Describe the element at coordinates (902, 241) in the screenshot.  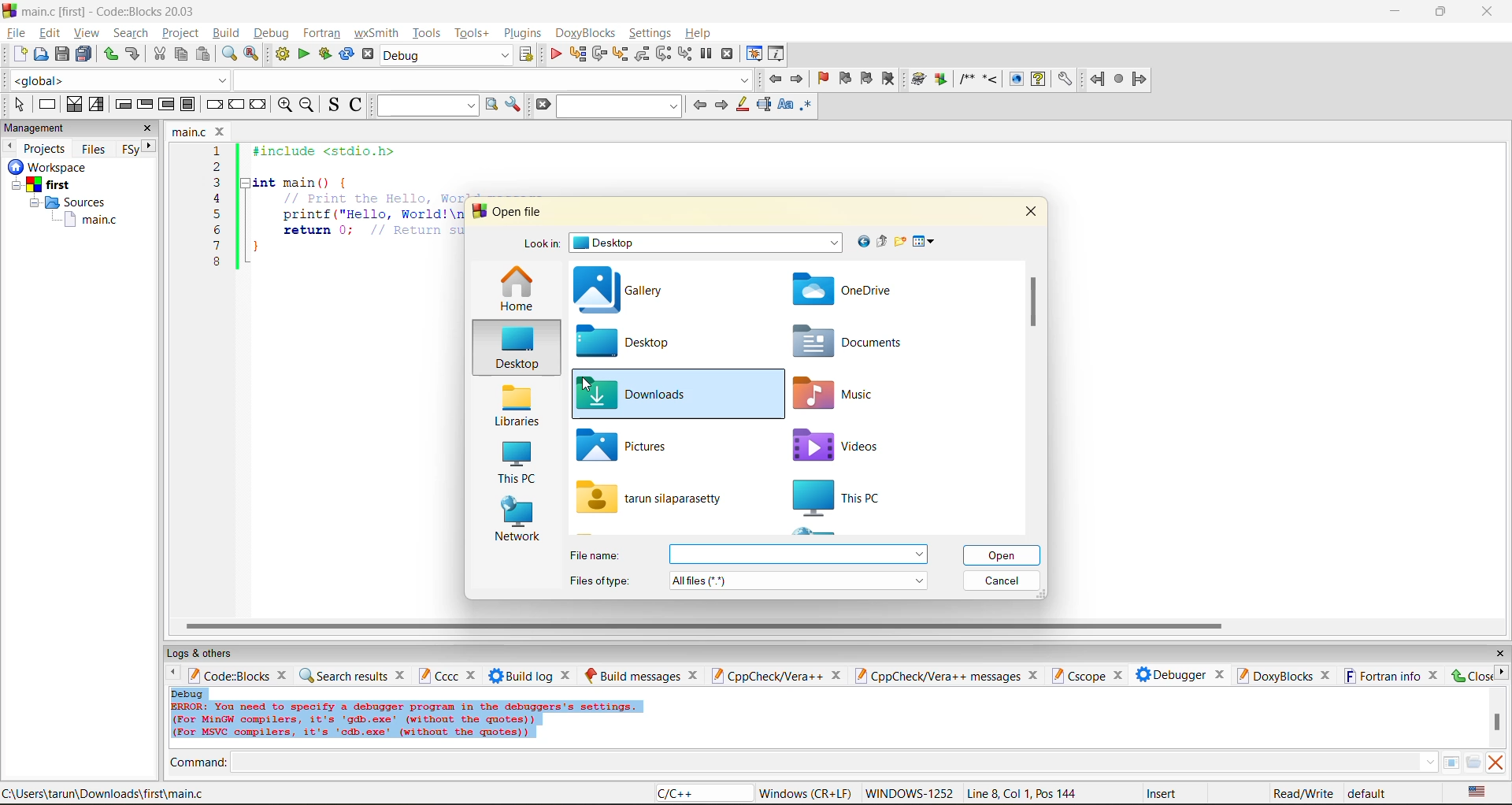
I see `create new folder` at that location.